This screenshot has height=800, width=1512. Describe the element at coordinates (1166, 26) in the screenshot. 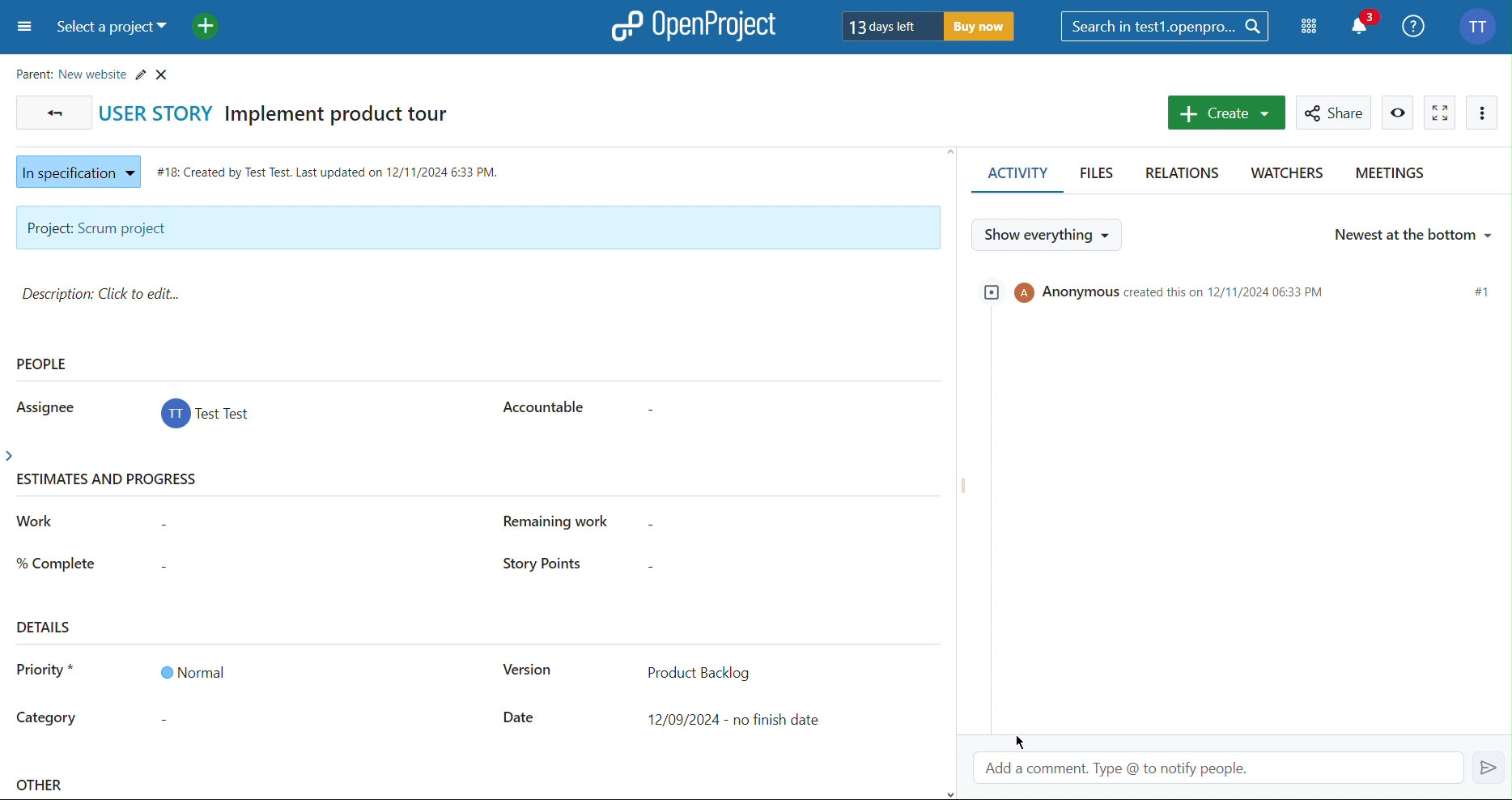

I see `Search` at that location.